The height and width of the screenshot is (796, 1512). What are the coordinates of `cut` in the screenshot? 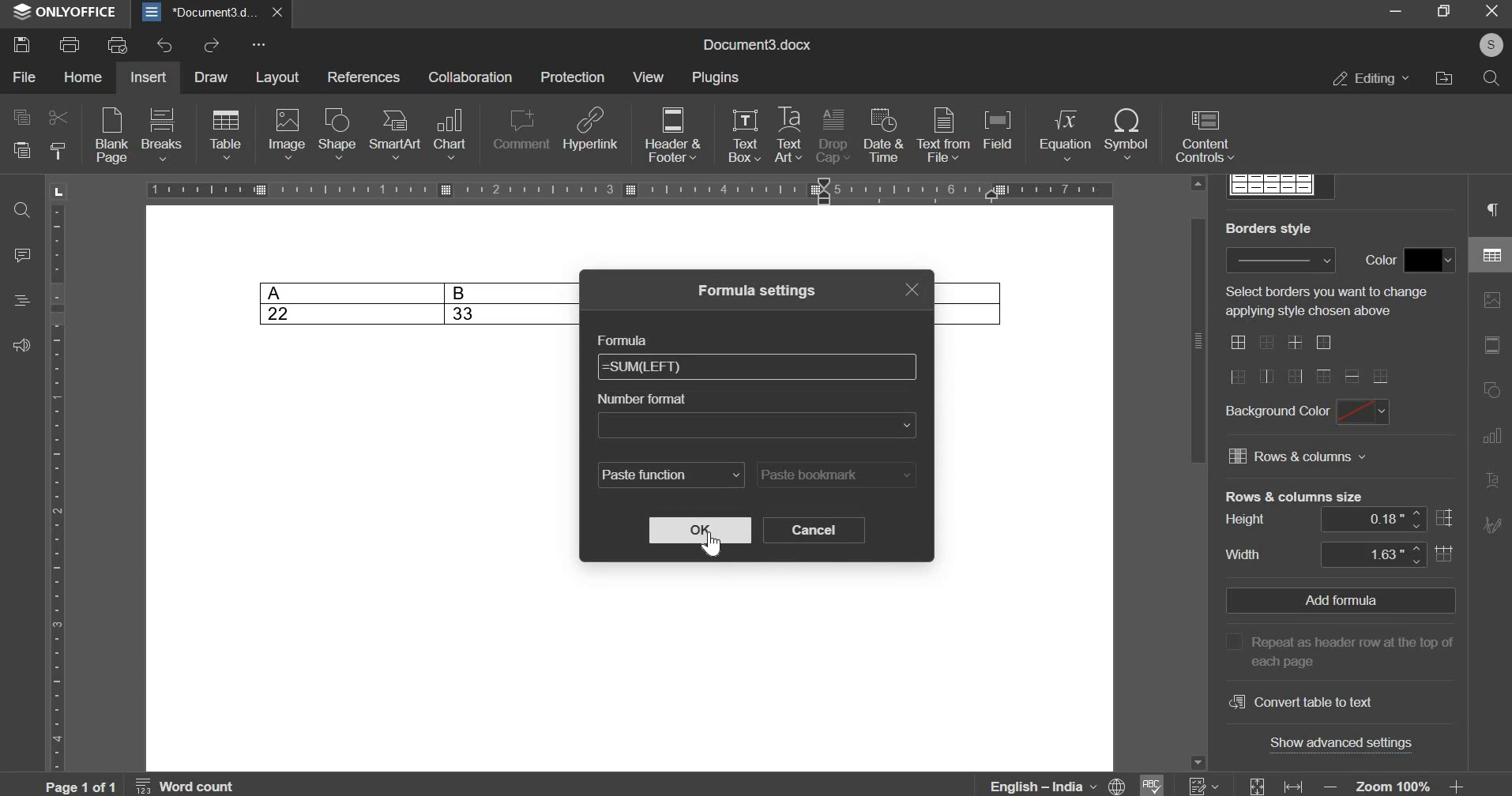 It's located at (58, 118).